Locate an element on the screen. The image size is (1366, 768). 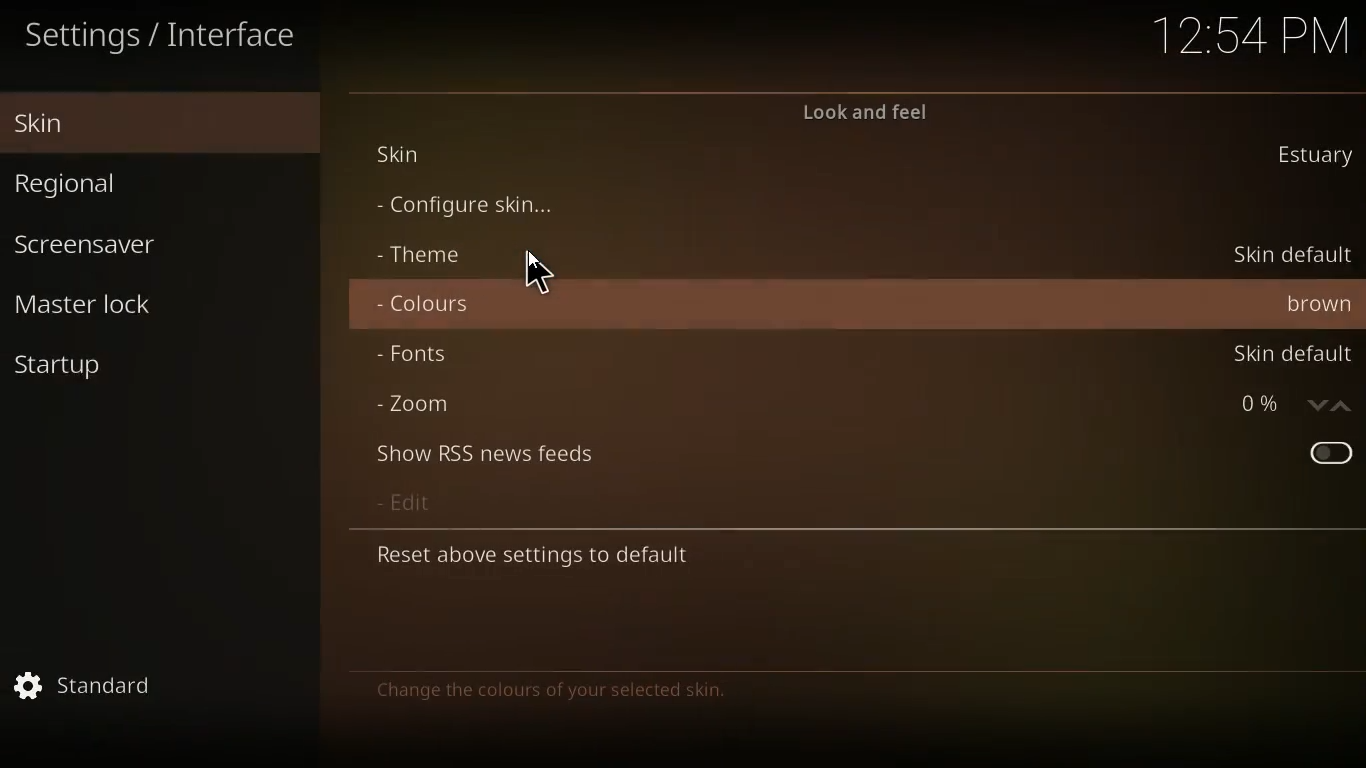
master lock  is located at coordinates (106, 307).